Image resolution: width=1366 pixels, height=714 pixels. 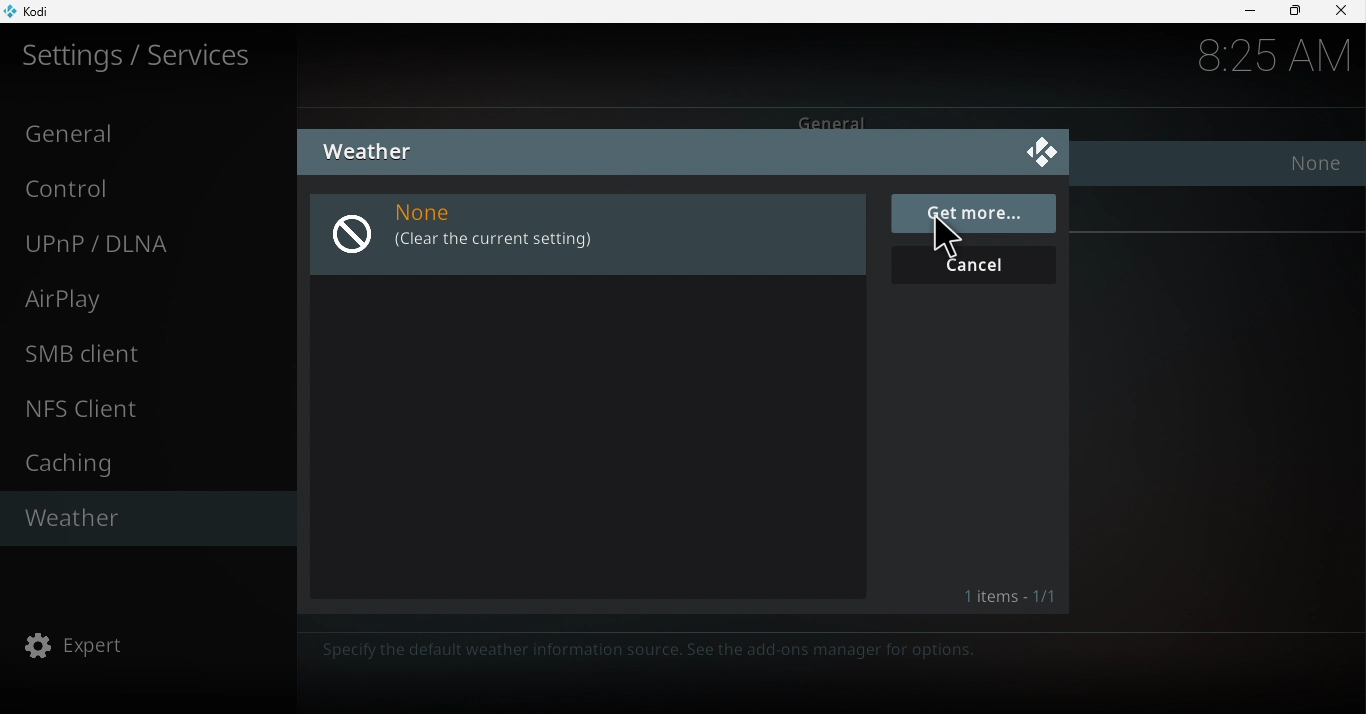 What do you see at coordinates (969, 213) in the screenshot?
I see `Get more...` at bounding box center [969, 213].